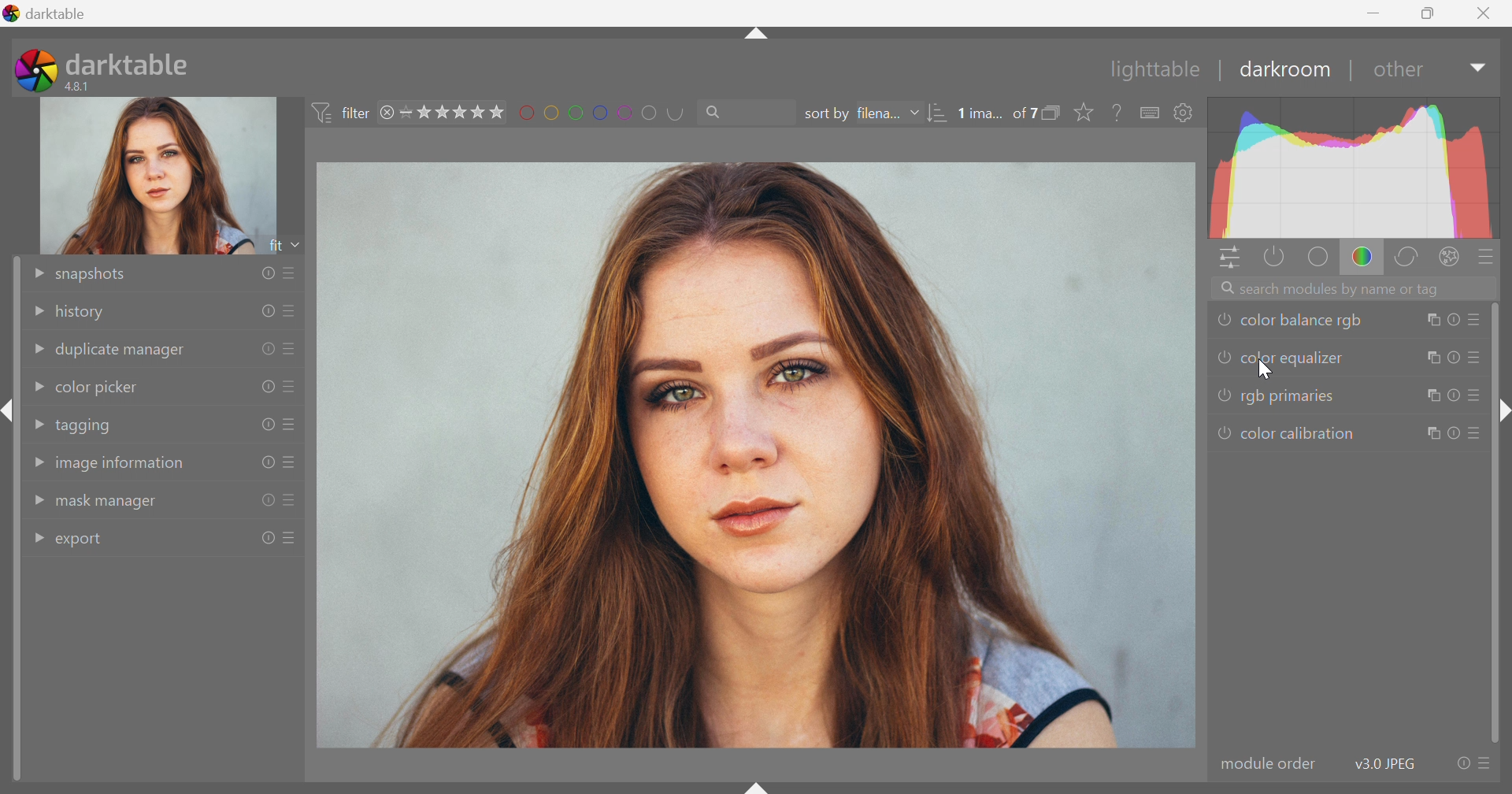  What do you see at coordinates (291, 348) in the screenshot?
I see `presets` at bounding box center [291, 348].